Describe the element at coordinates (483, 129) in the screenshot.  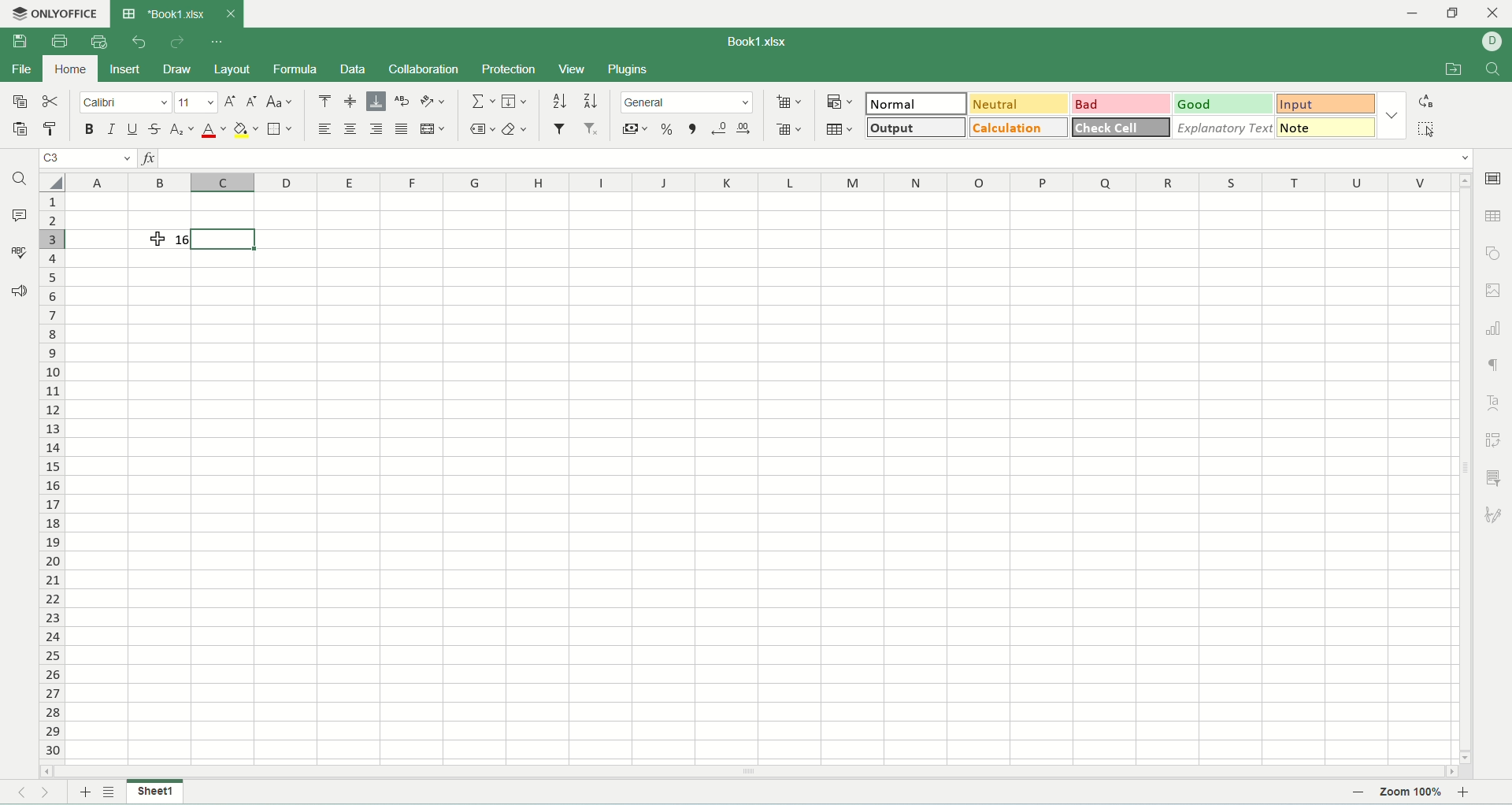
I see `named ranges` at that location.